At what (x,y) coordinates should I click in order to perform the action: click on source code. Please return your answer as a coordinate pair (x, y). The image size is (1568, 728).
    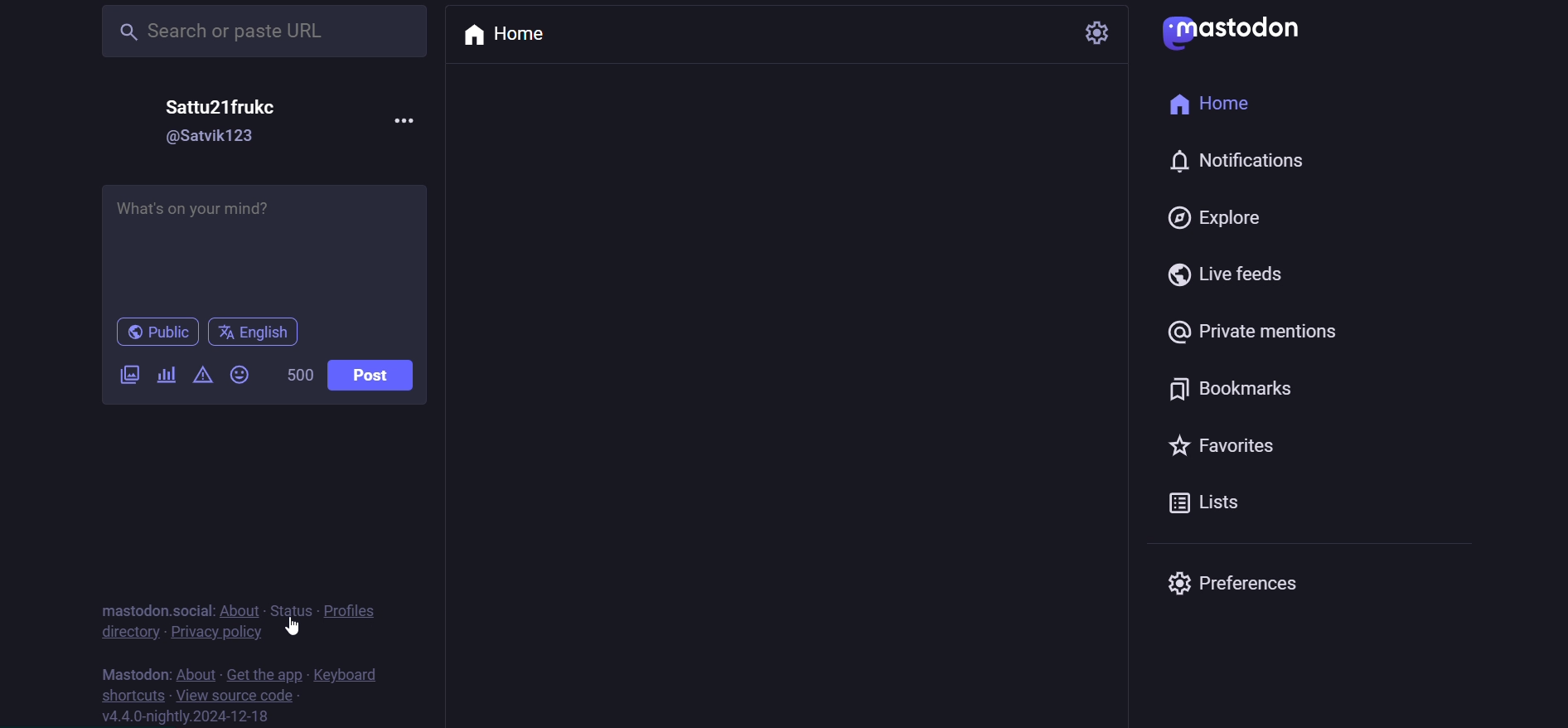
    Looking at the image, I should click on (235, 694).